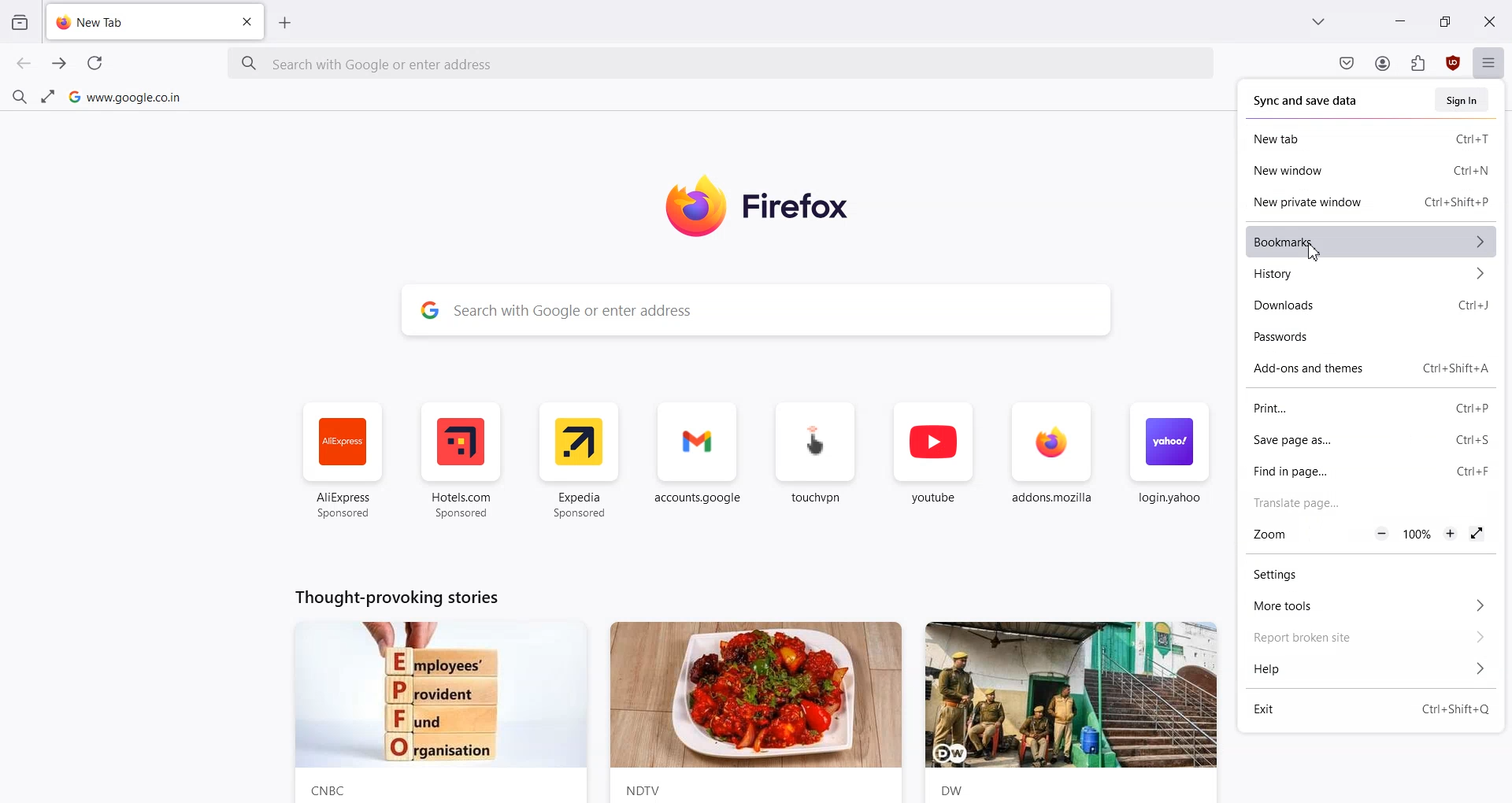 This screenshot has height=803, width=1512. Describe the element at coordinates (1337, 471) in the screenshot. I see `Find in page` at that location.